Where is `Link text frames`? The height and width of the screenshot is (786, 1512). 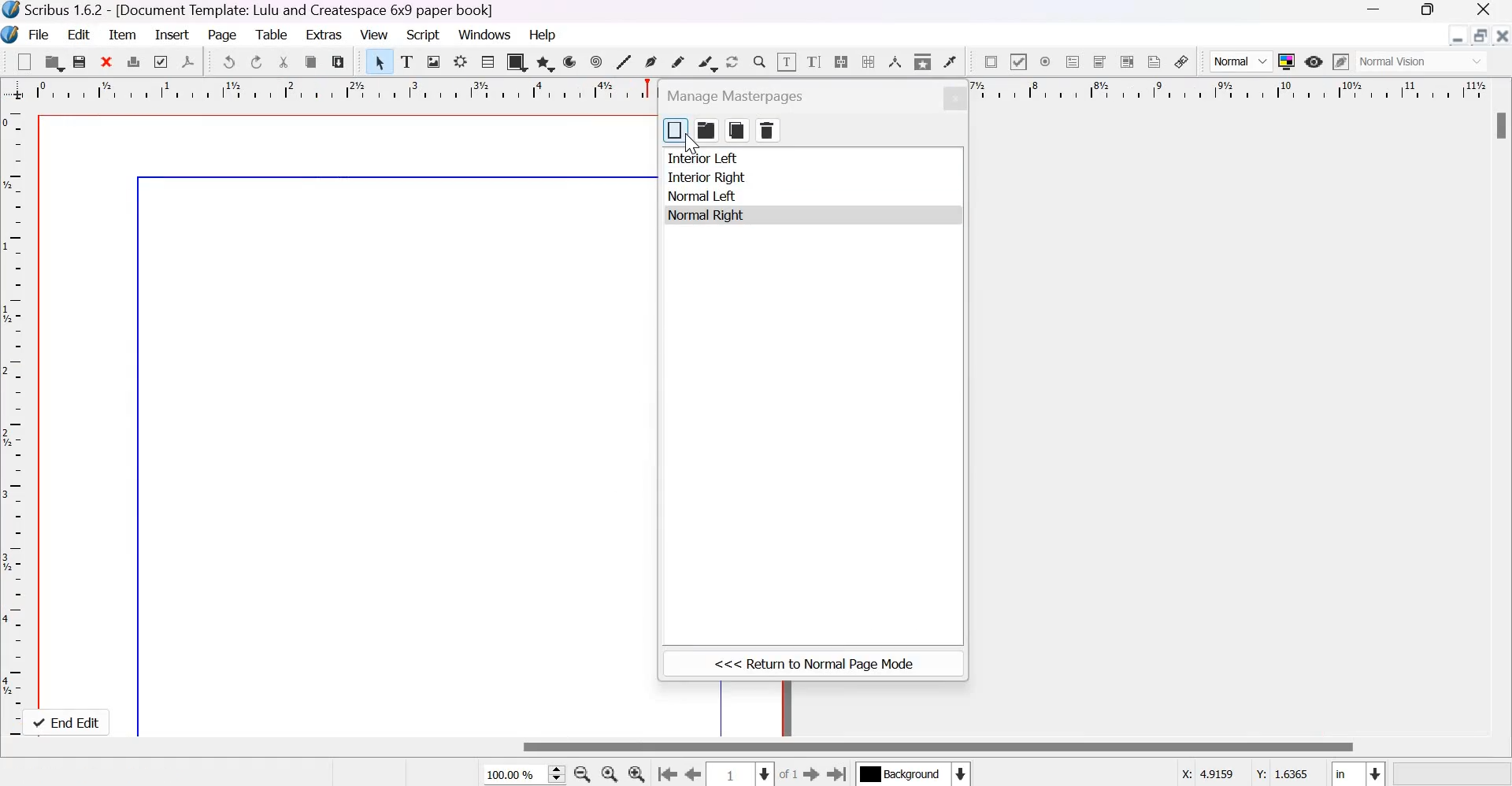 Link text frames is located at coordinates (839, 61).